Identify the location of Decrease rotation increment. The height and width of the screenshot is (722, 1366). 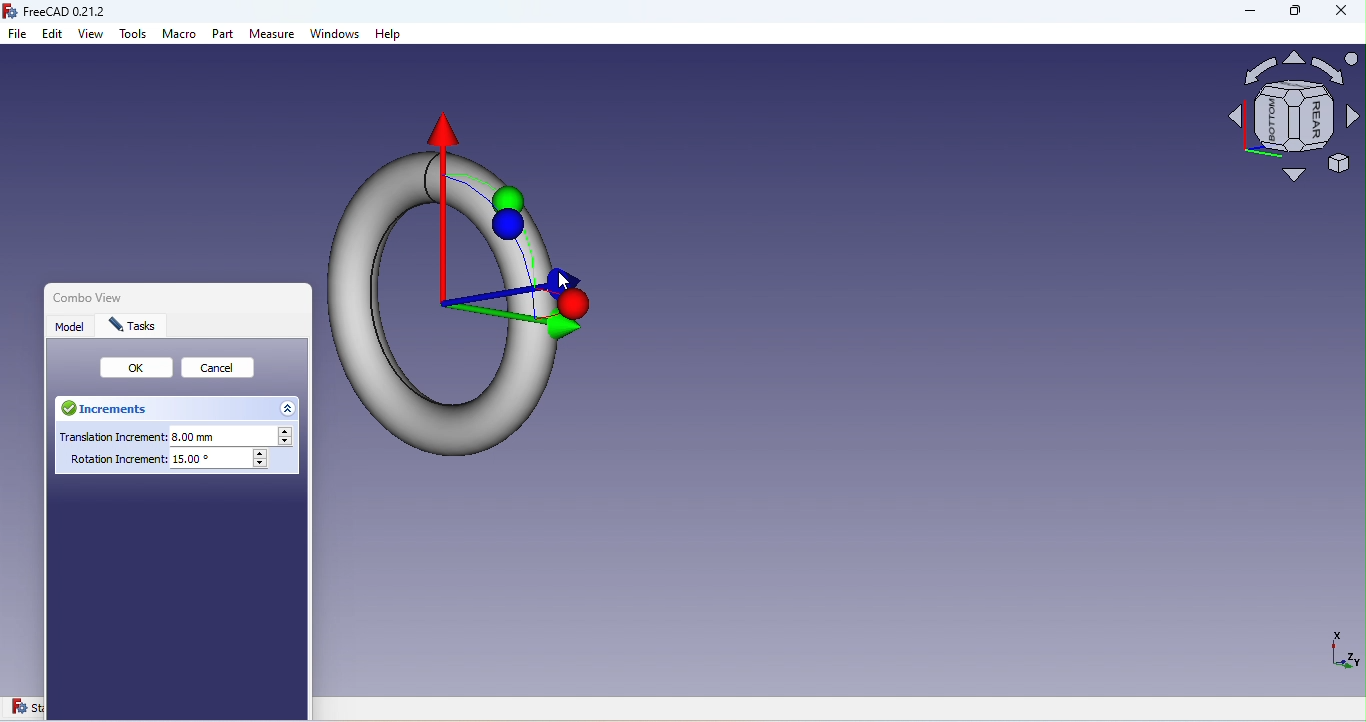
(262, 464).